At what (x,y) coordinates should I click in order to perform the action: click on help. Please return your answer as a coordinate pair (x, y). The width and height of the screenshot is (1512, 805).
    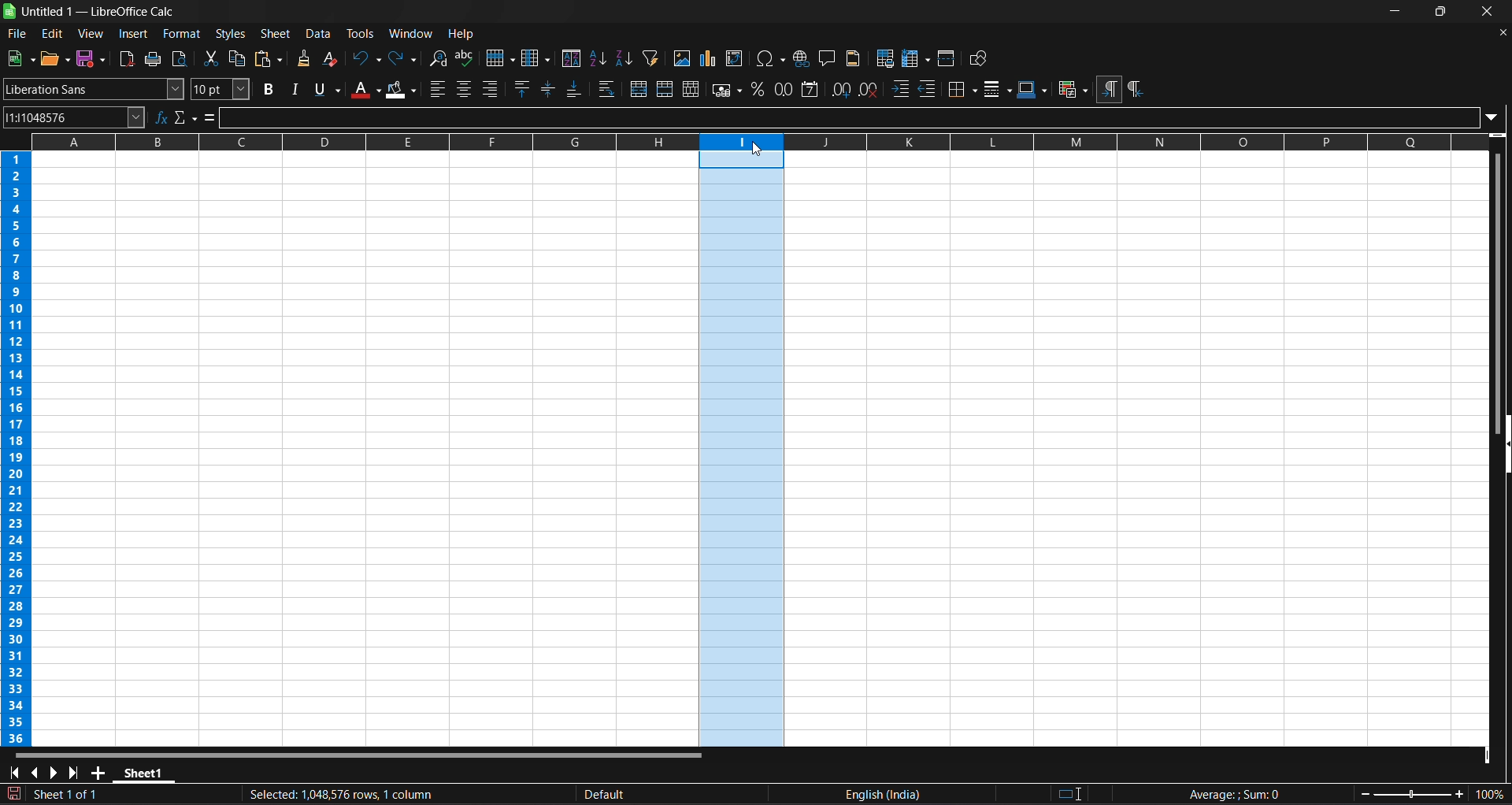
    Looking at the image, I should click on (463, 35).